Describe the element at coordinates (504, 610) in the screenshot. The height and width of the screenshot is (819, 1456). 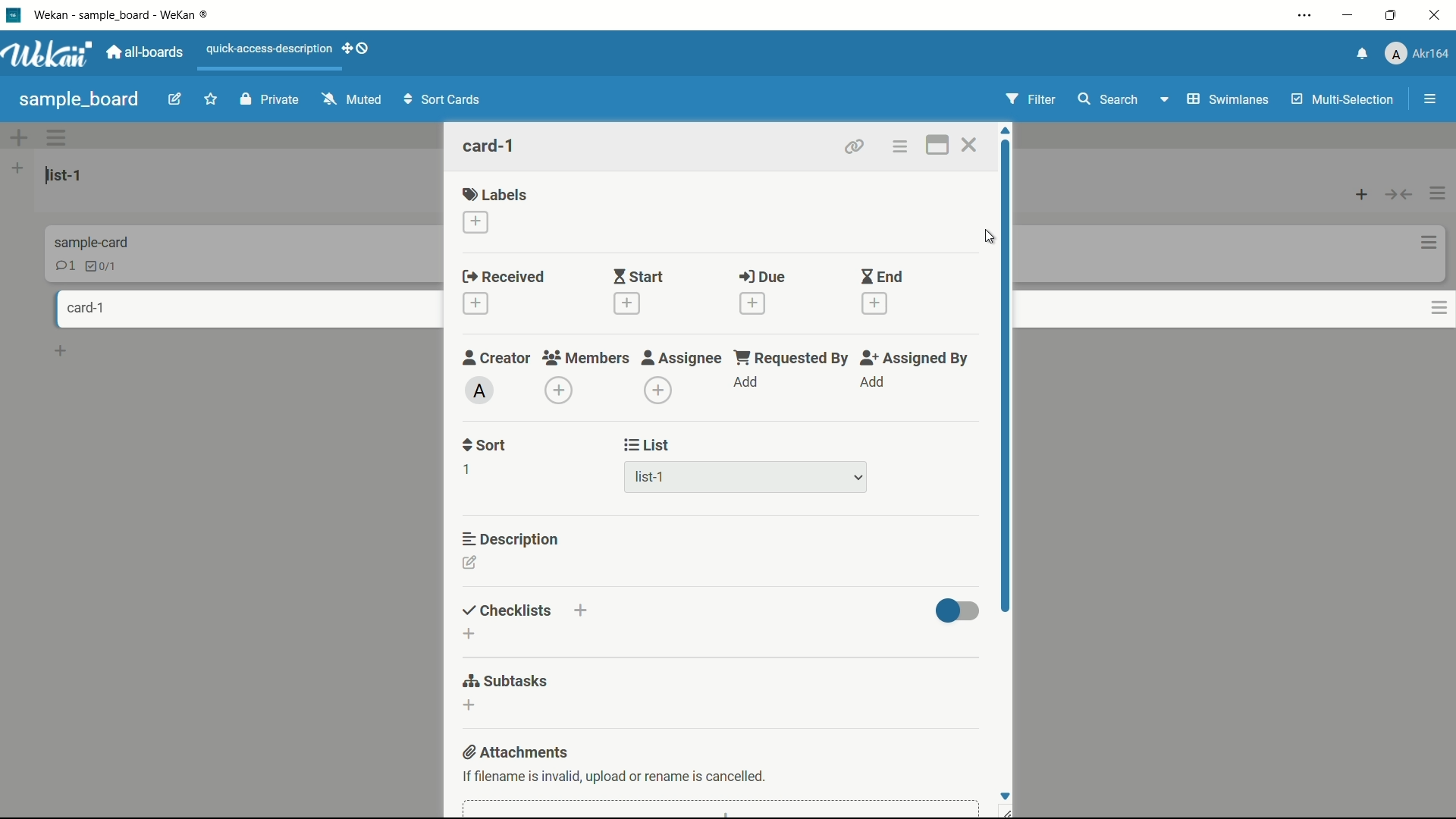
I see `checklists` at that location.